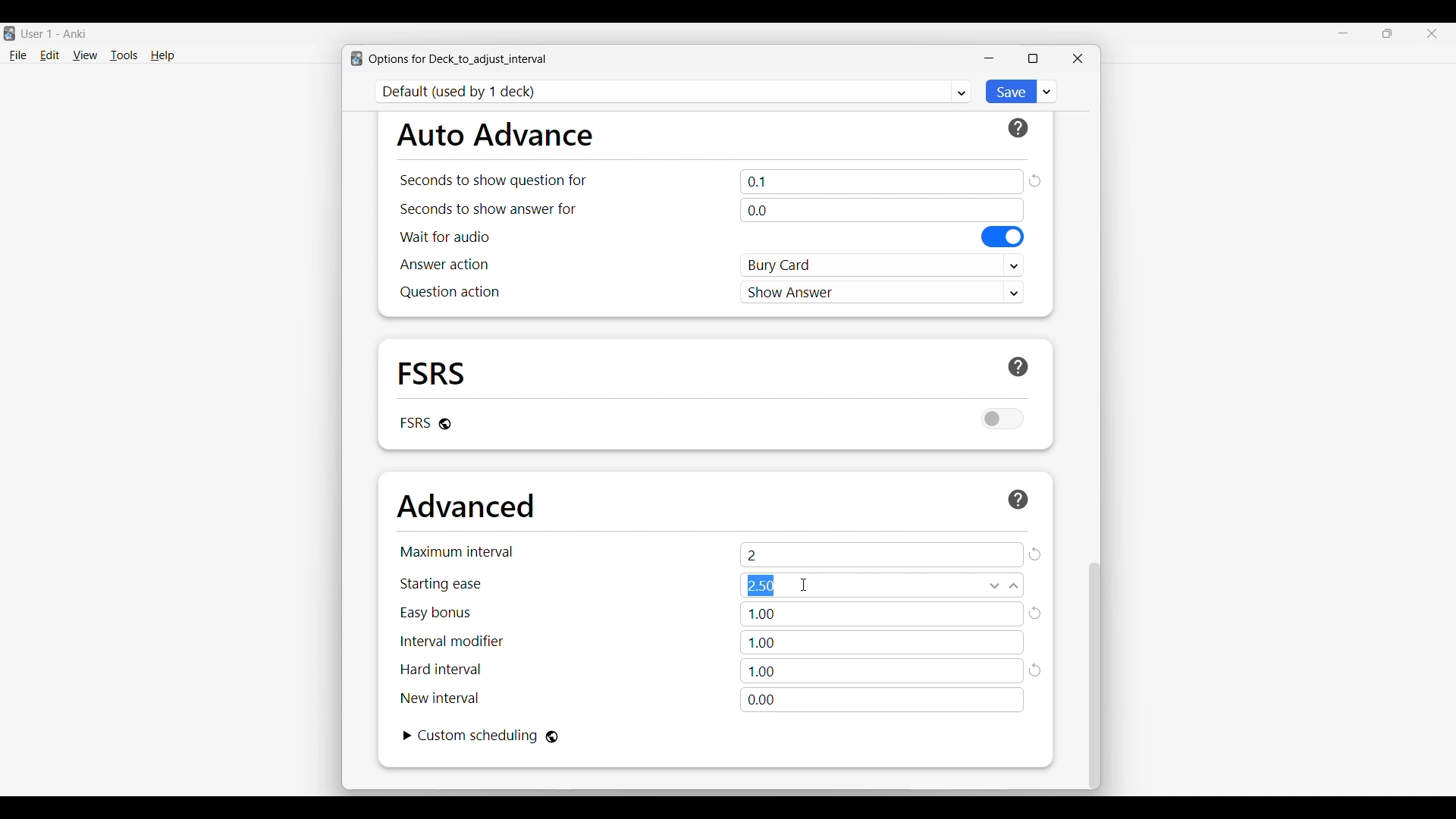 This screenshot has height=819, width=1456. What do you see at coordinates (162, 56) in the screenshot?
I see `Help menu` at bounding box center [162, 56].